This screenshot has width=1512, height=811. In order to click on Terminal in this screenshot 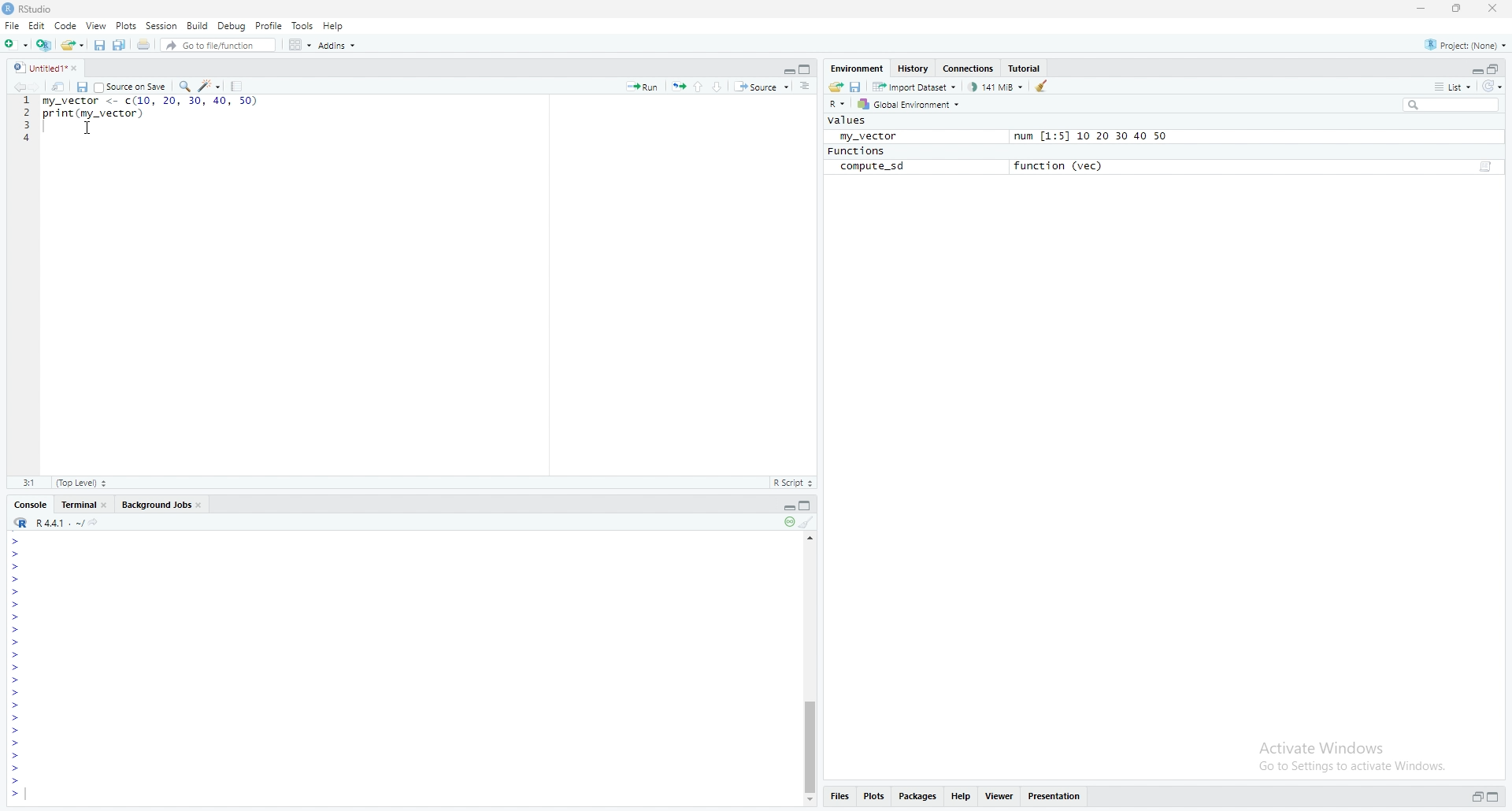, I will do `click(84, 504)`.